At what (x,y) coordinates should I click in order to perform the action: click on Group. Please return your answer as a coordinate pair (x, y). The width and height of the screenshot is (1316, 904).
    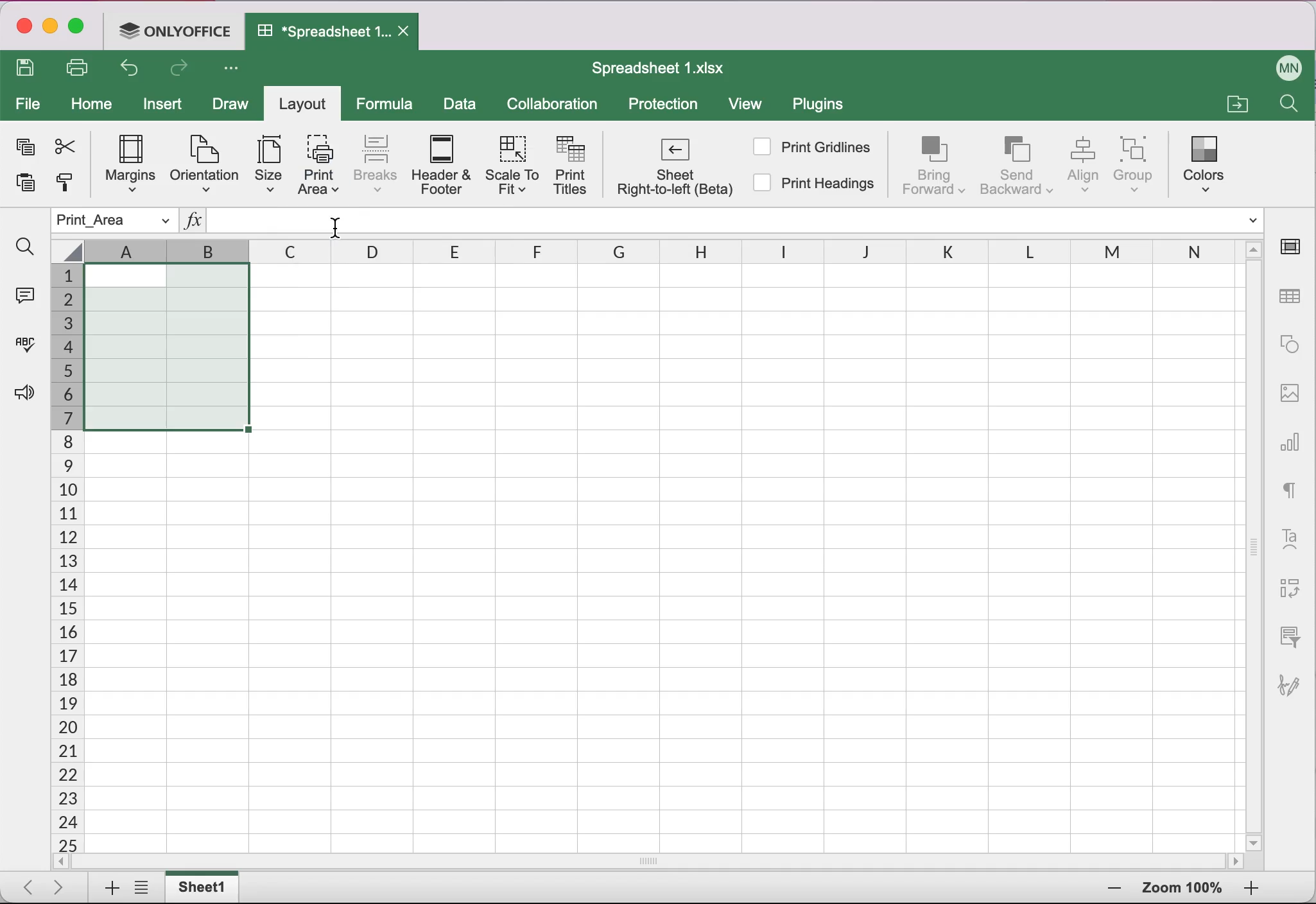
    Looking at the image, I should click on (1141, 164).